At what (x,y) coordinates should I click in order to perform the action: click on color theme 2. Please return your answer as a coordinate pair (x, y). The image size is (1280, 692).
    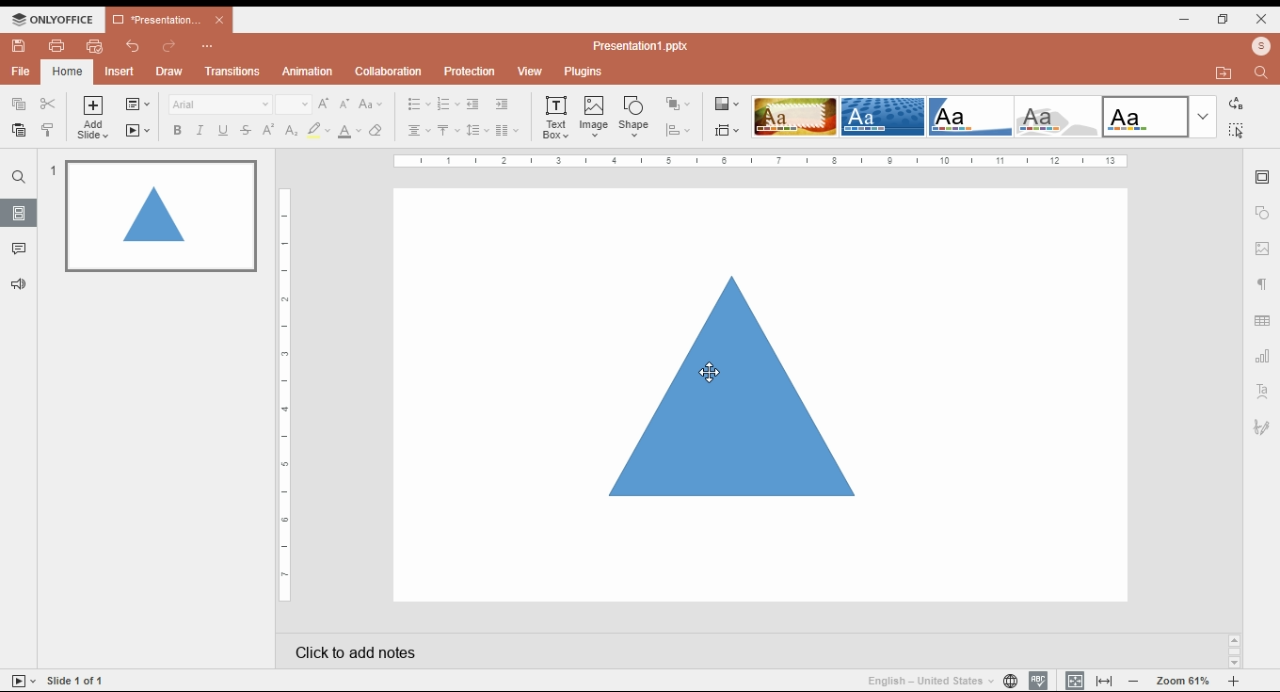
    Looking at the image, I should click on (881, 116).